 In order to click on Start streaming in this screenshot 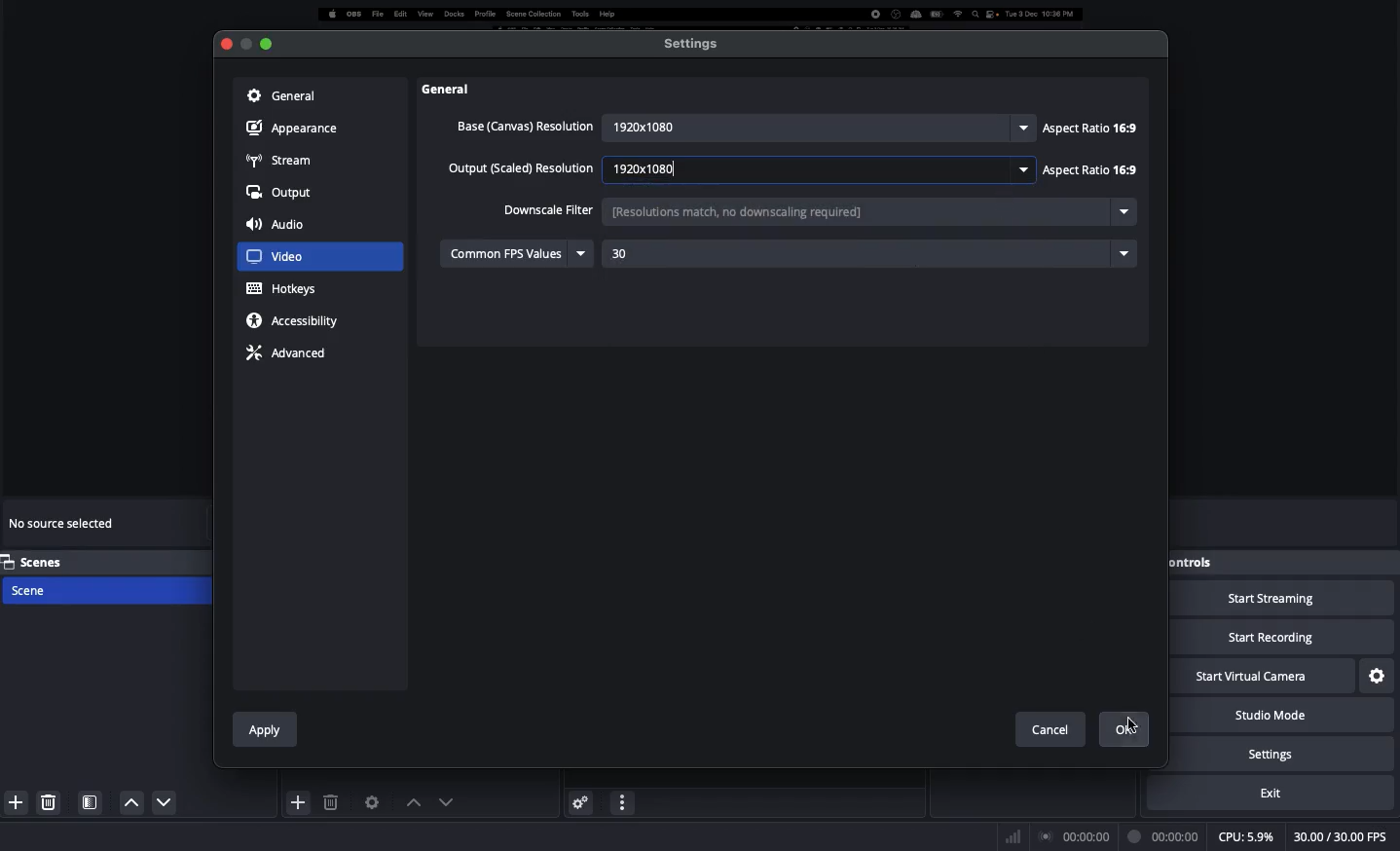, I will do `click(1283, 600)`.